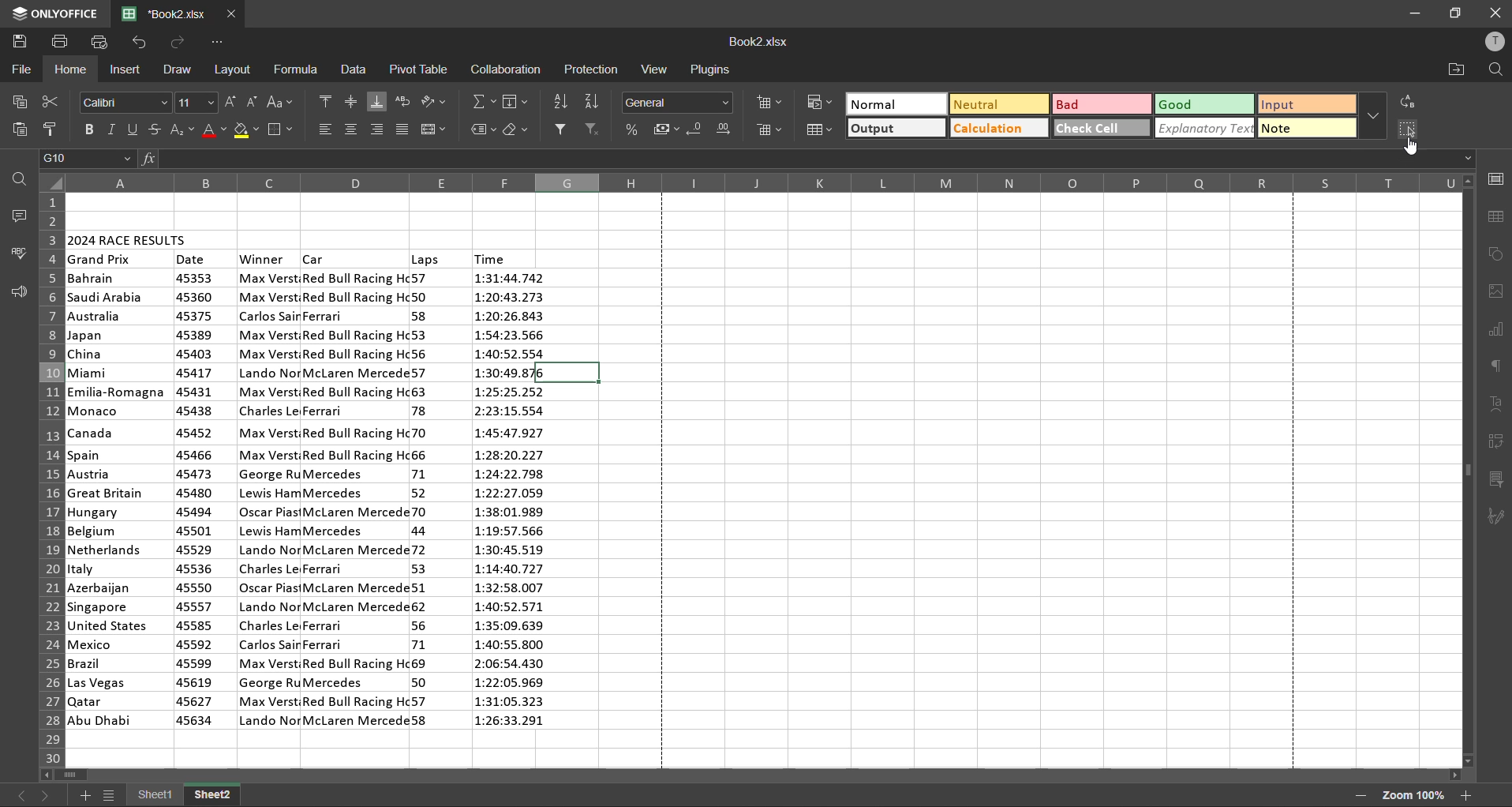 Image resolution: width=1512 pixels, height=807 pixels. I want to click on italic, so click(113, 130).